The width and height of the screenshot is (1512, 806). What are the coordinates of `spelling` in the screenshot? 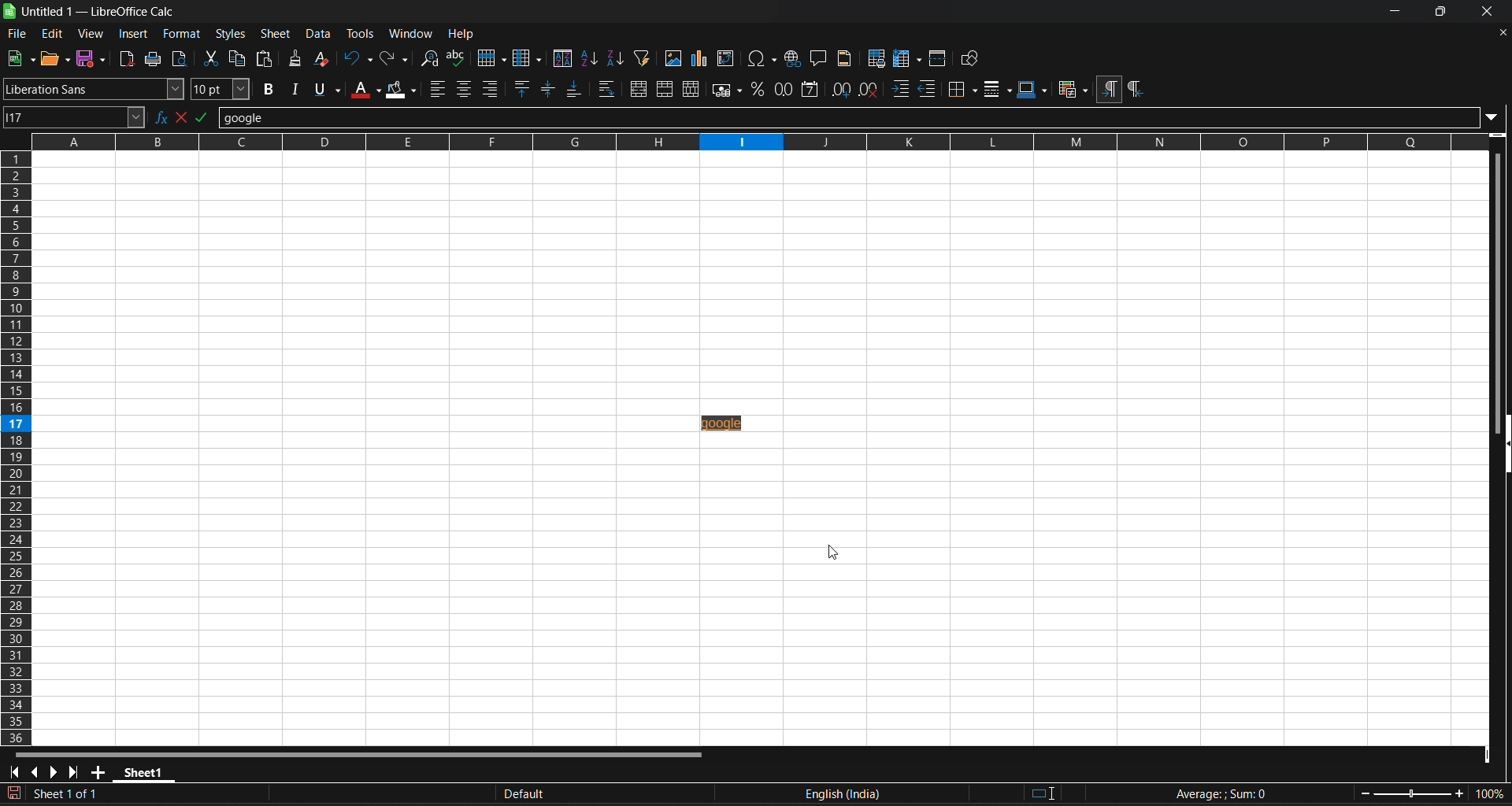 It's located at (458, 58).